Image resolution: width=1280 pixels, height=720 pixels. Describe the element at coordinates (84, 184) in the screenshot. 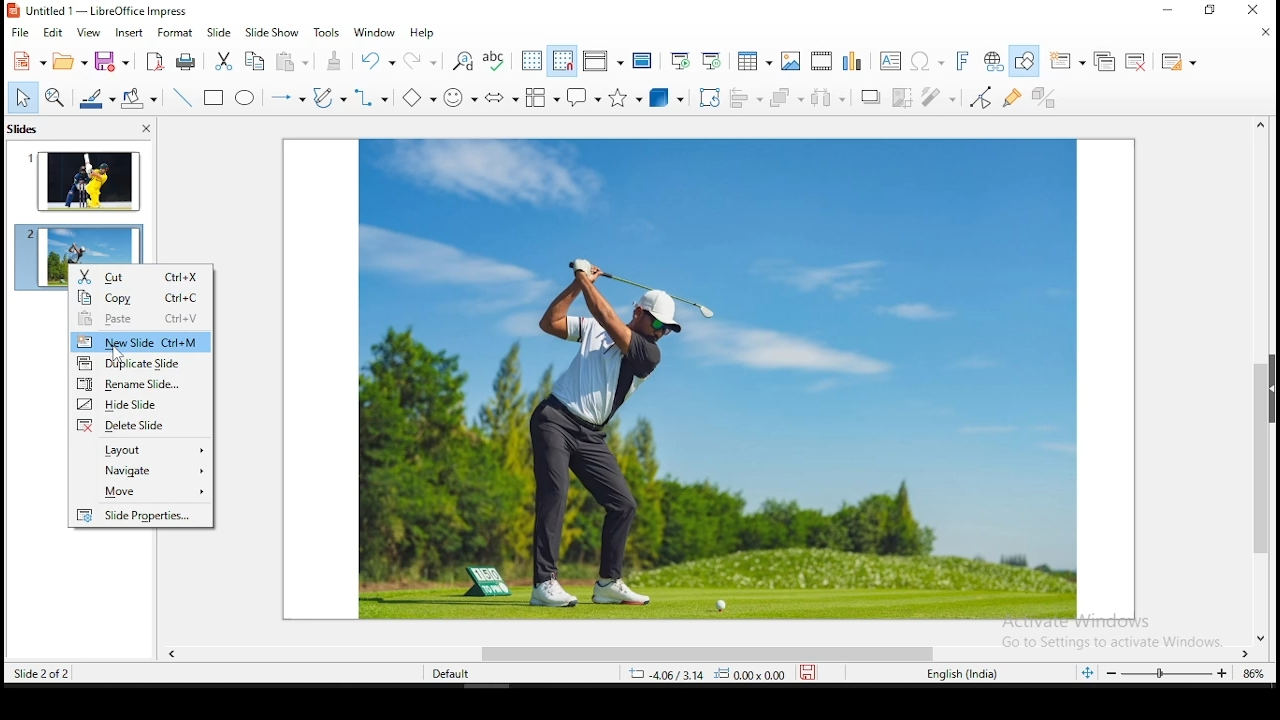

I see `slide 1` at that location.